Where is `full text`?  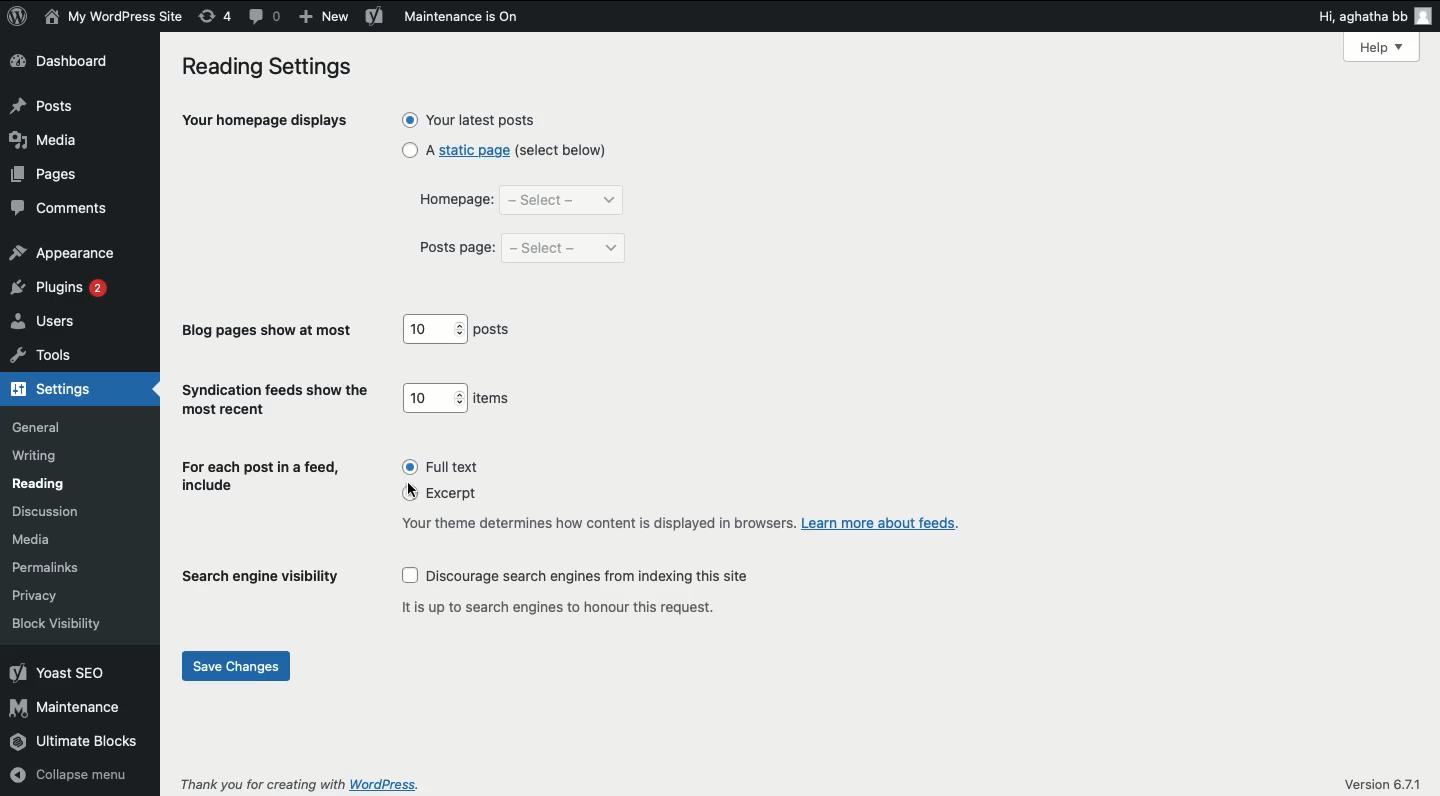 full text is located at coordinates (440, 467).